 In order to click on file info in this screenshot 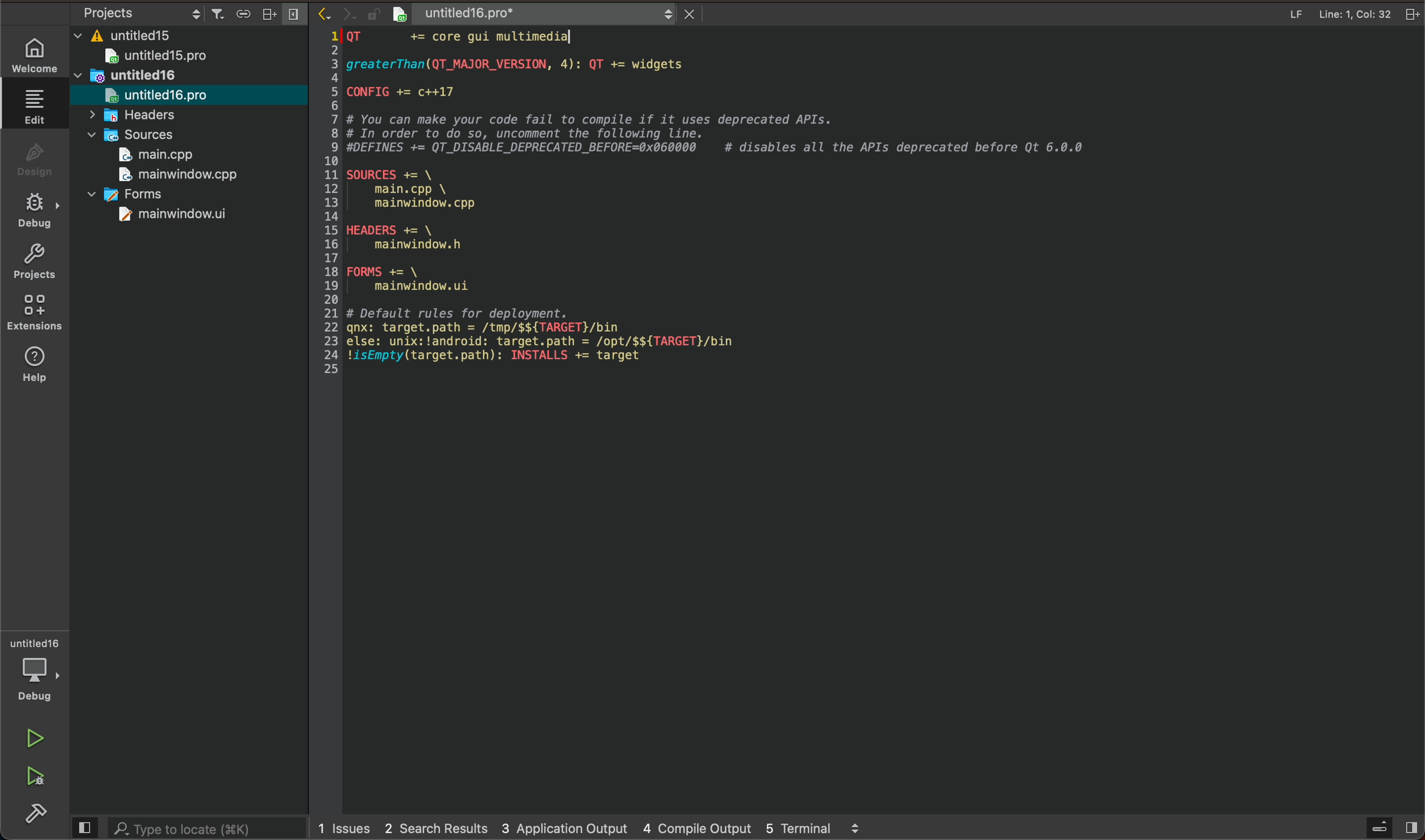, I will do `click(1295, 15)`.